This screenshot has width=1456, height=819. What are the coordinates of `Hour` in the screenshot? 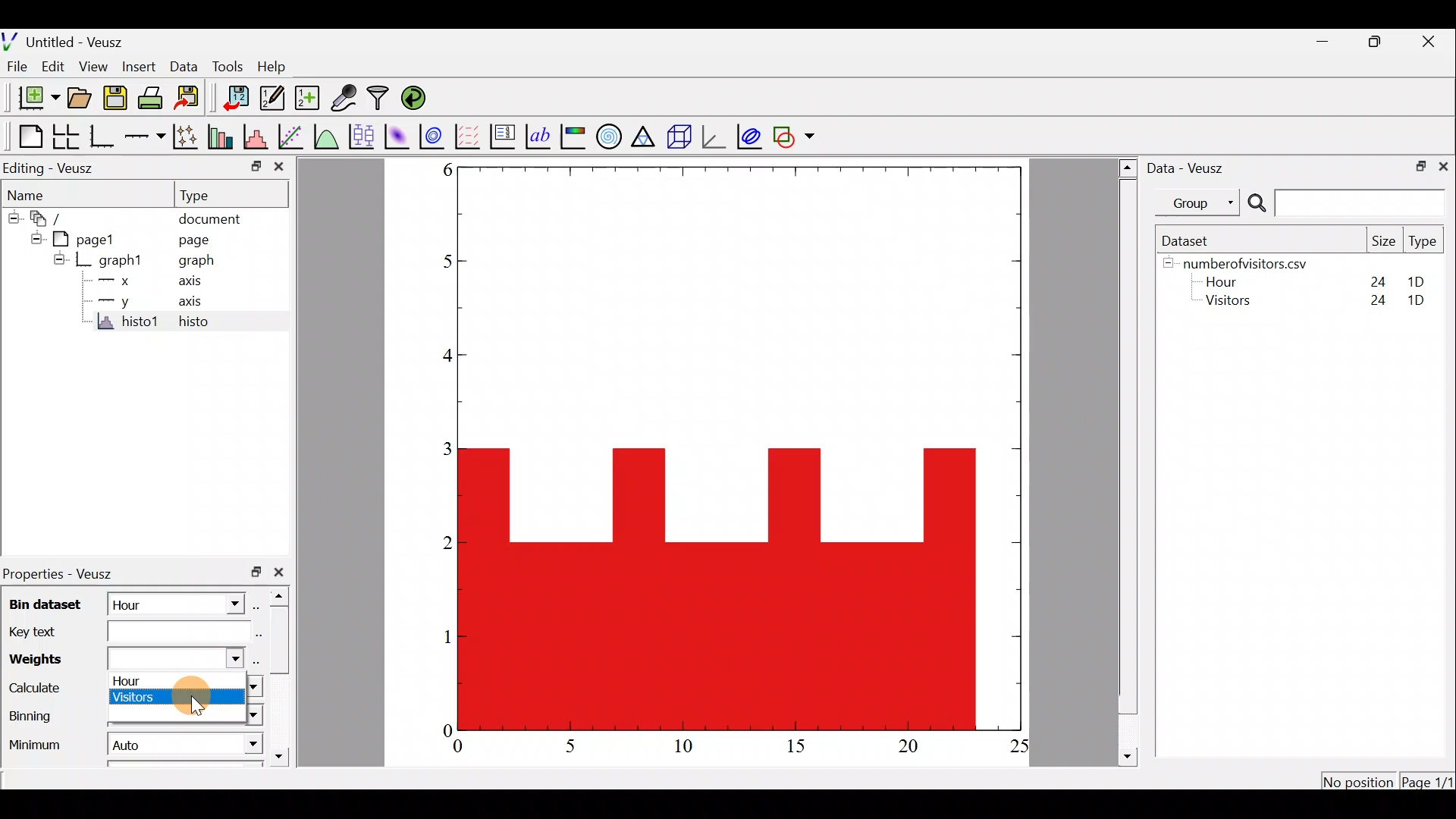 It's located at (1228, 281).